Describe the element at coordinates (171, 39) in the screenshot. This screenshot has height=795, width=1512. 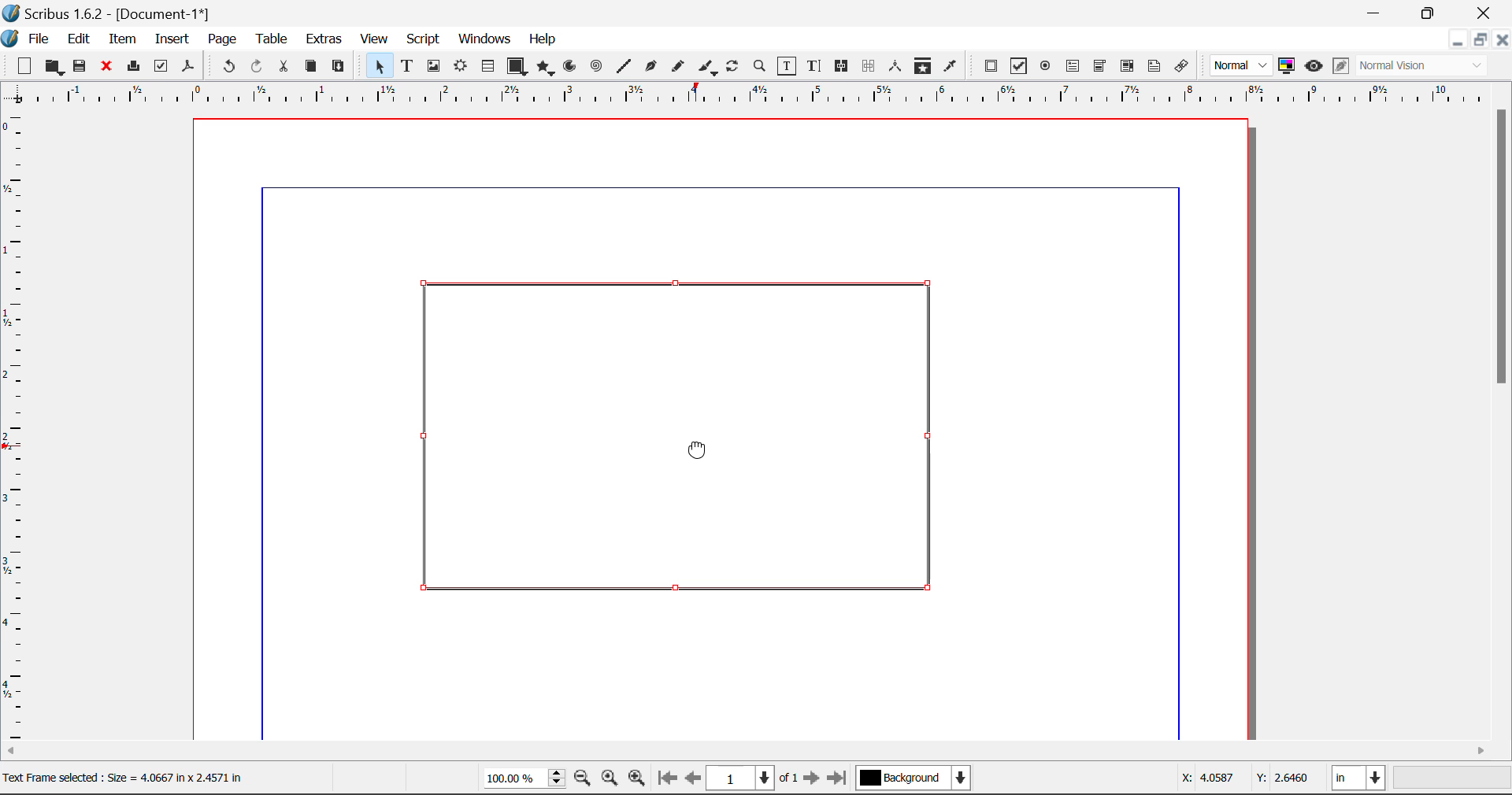
I see `Insert` at that location.